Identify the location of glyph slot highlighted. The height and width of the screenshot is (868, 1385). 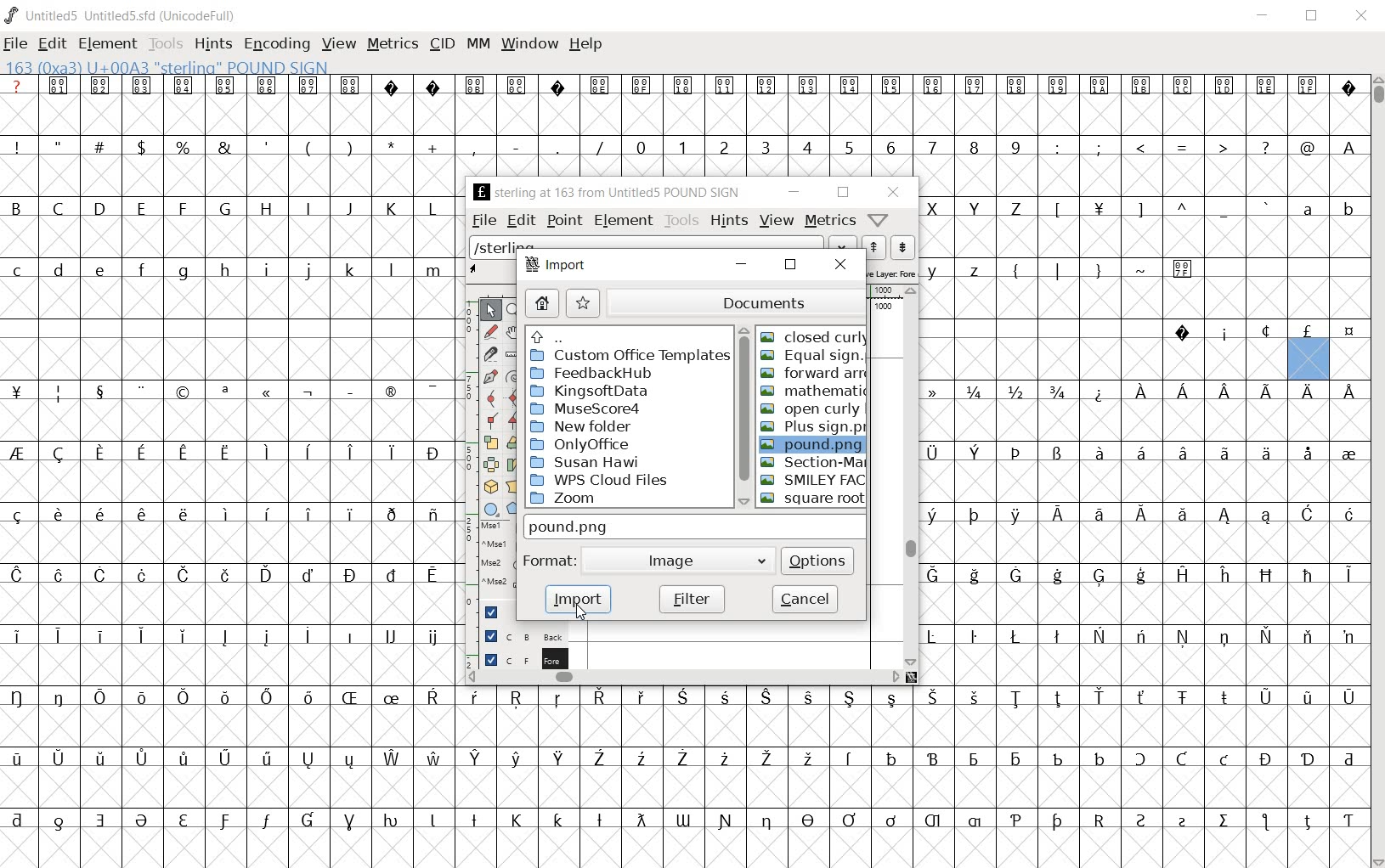
(1309, 360).